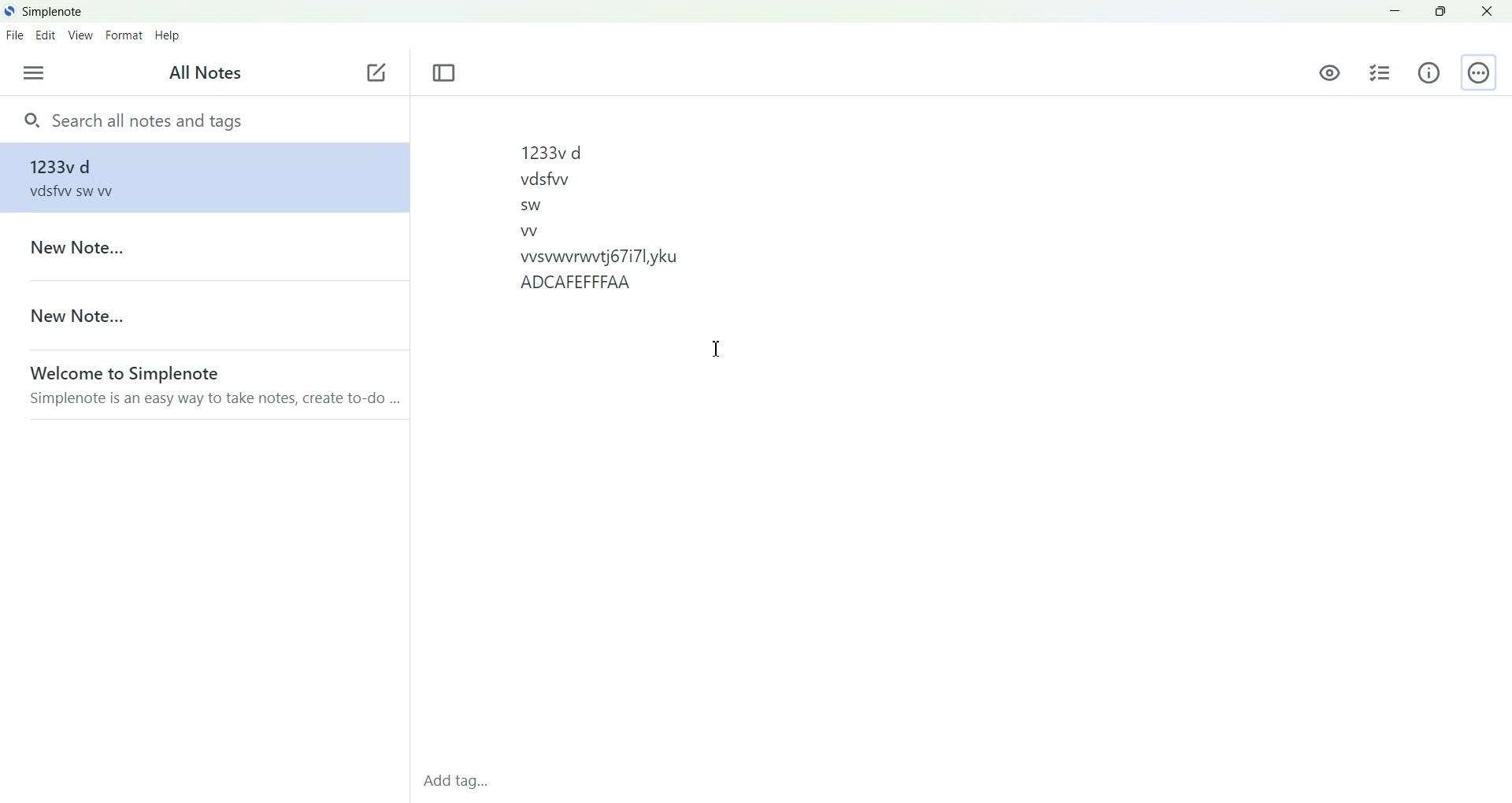 Image resolution: width=1512 pixels, height=803 pixels. What do you see at coordinates (204, 119) in the screenshot?
I see `Search notes and tags` at bounding box center [204, 119].